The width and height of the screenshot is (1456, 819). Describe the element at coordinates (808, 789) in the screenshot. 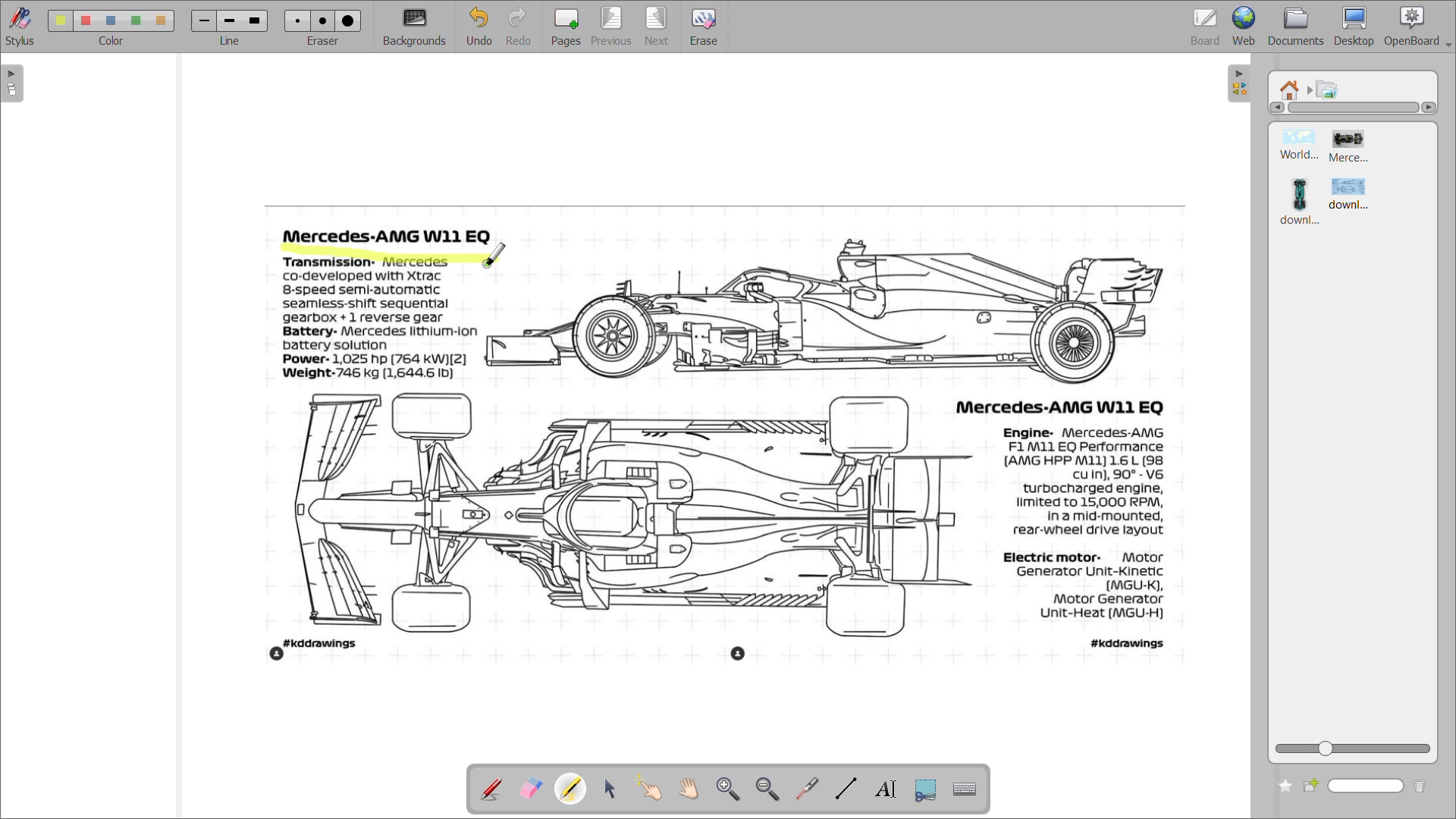

I see `virtual pointer` at that location.